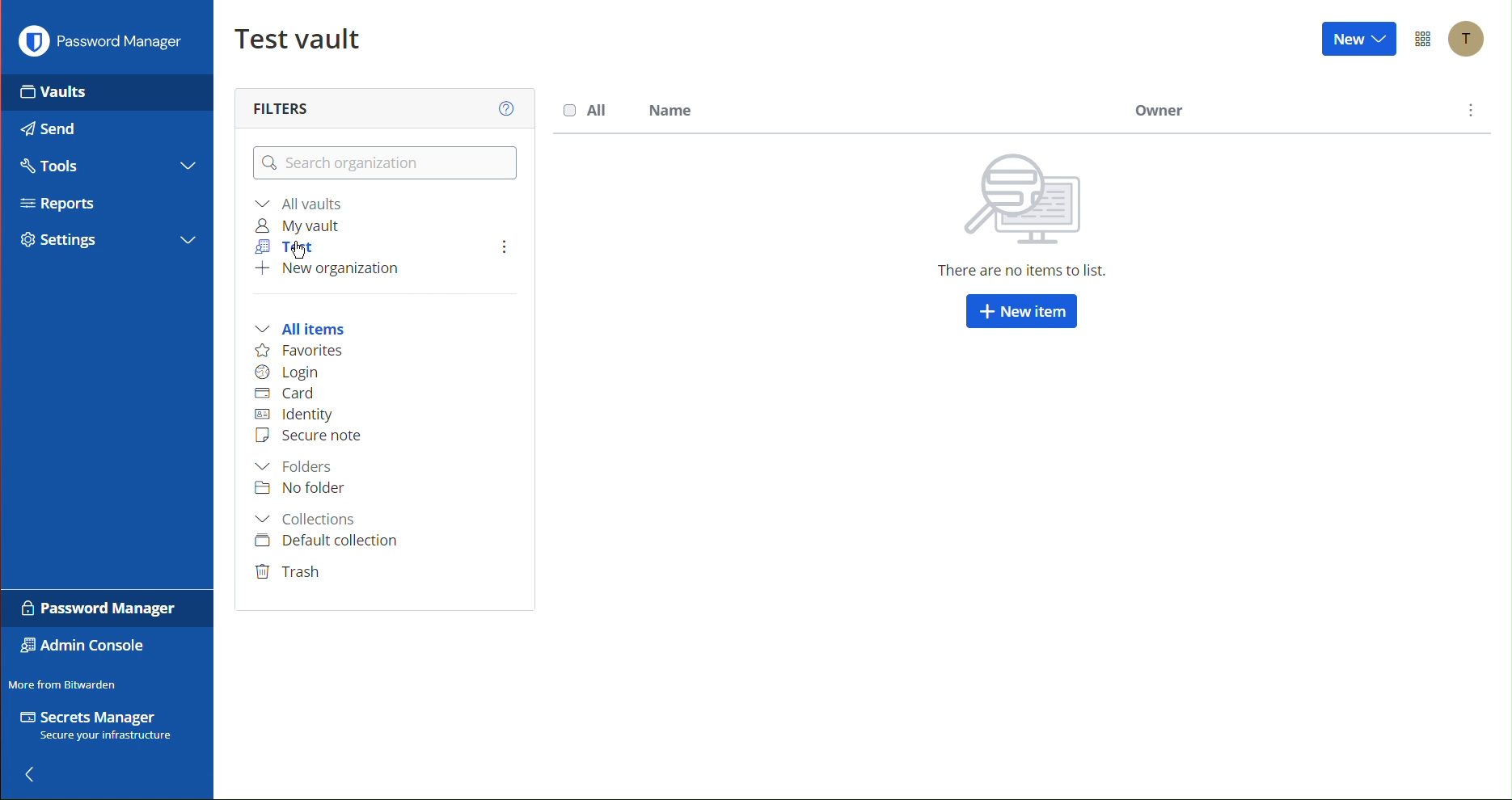  I want to click on My vault, so click(298, 225).